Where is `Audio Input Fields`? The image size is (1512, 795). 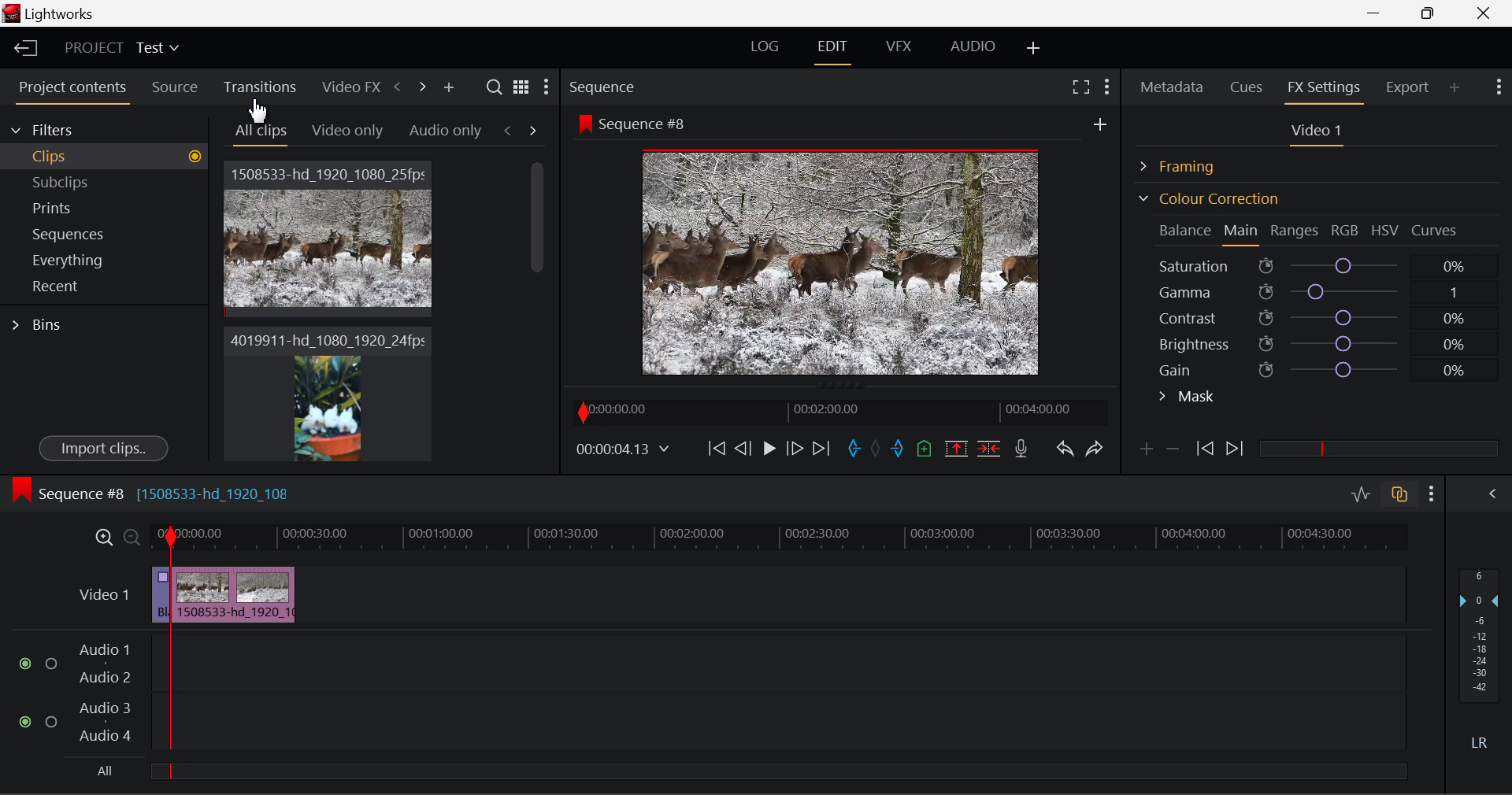
Audio Input Fields is located at coordinates (712, 694).